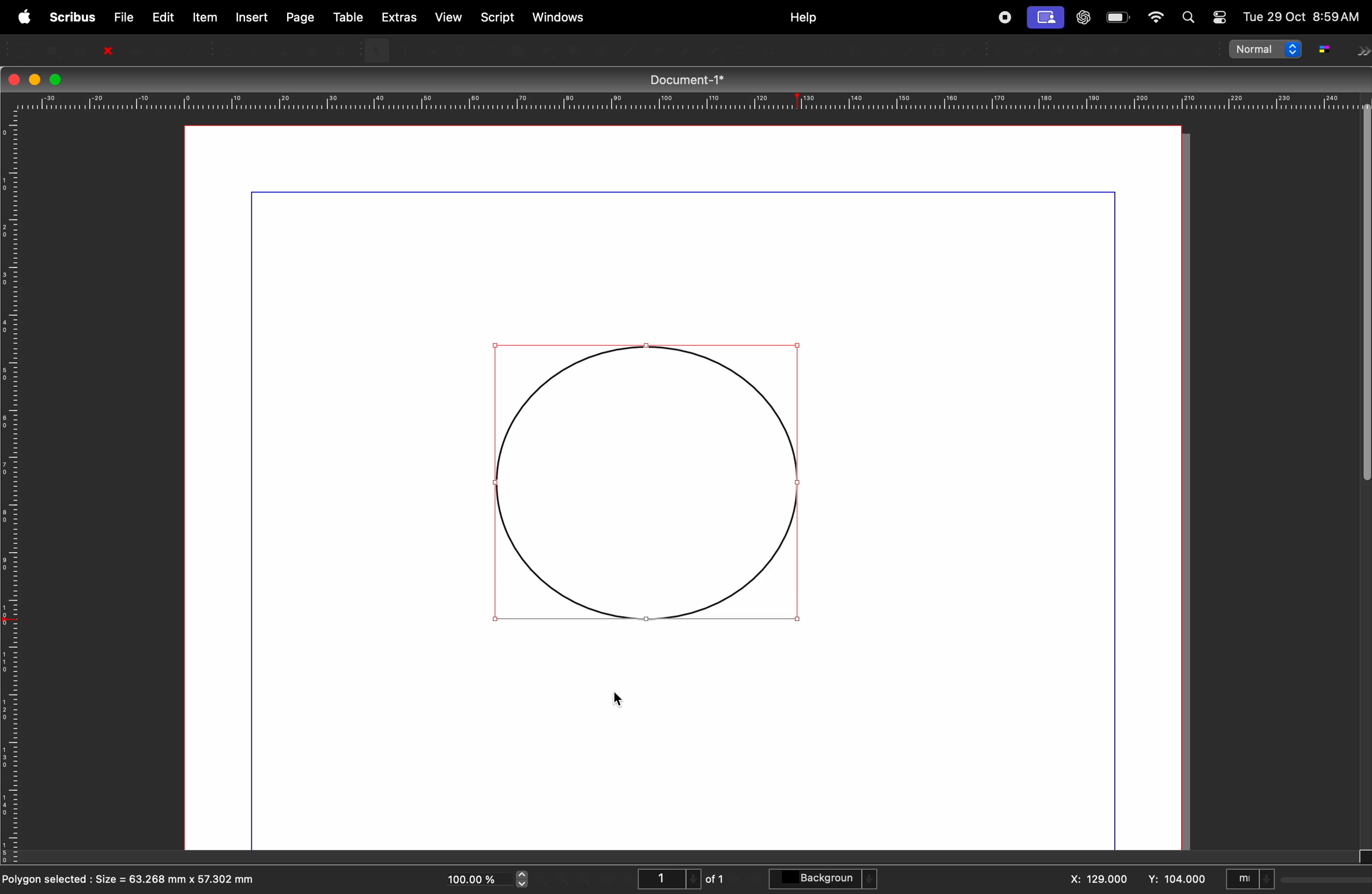 This screenshot has height=894, width=1372. What do you see at coordinates (1218, 13) in the screenshot?
I see `toggle` at bounding box center [1218, 13].